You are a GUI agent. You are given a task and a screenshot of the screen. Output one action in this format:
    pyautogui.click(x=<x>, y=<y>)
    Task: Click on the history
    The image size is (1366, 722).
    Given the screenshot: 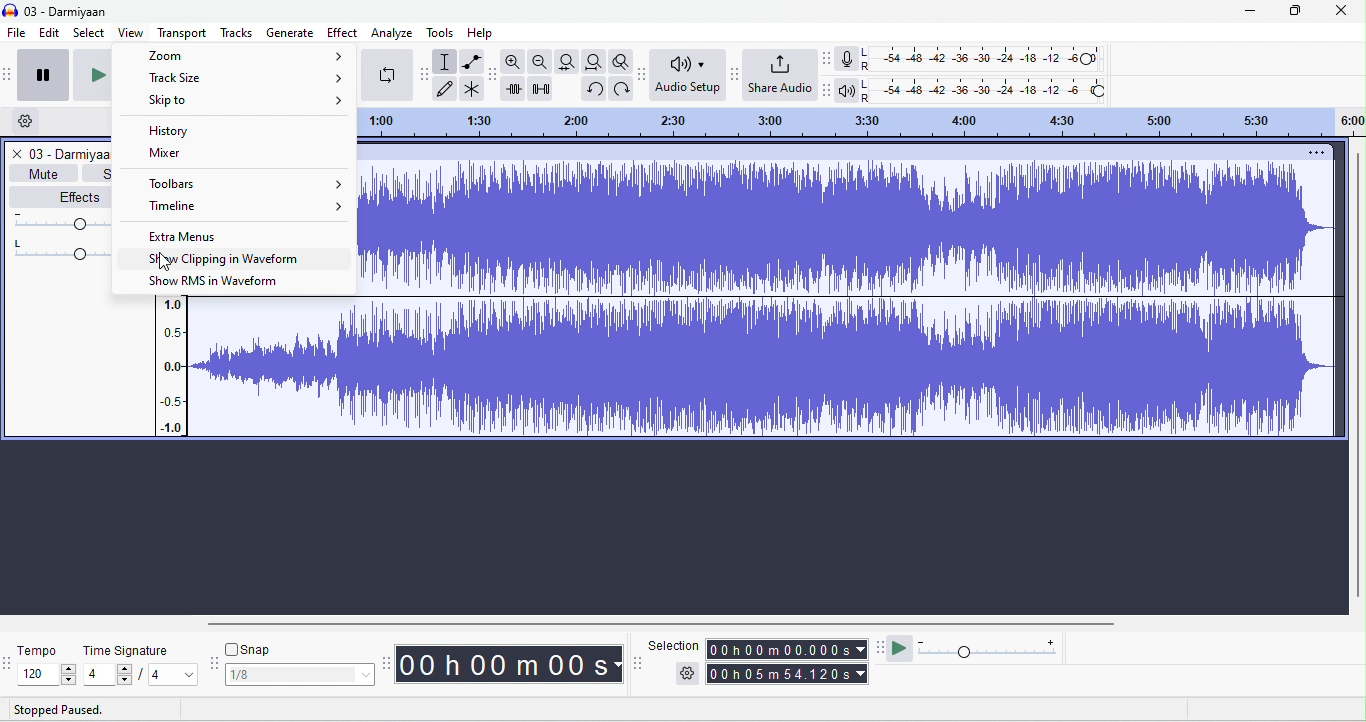 What is the action you would take?
    pyautogui.click(x=194, y=130)
    